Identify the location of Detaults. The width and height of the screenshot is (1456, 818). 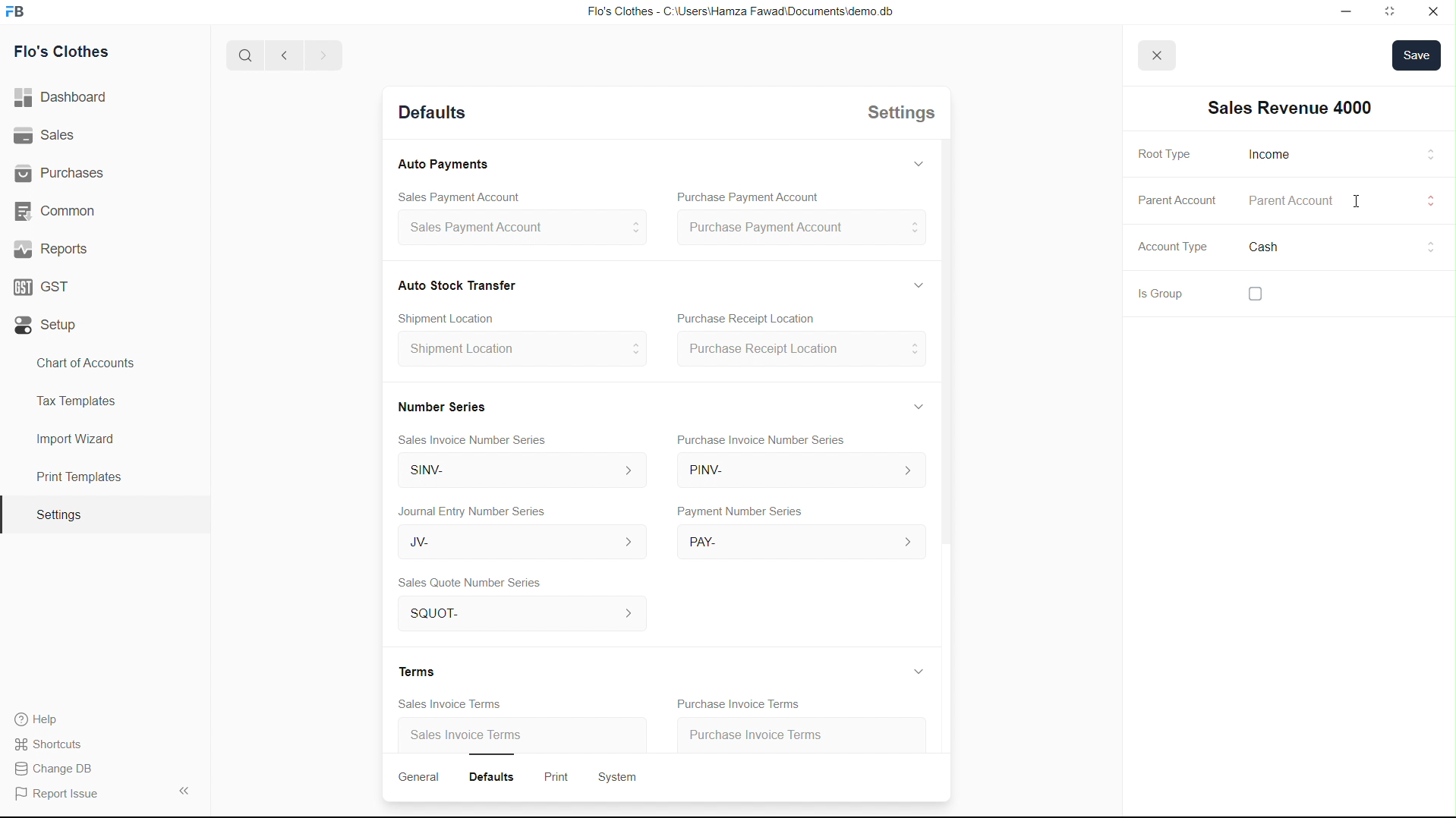
(430, 114).